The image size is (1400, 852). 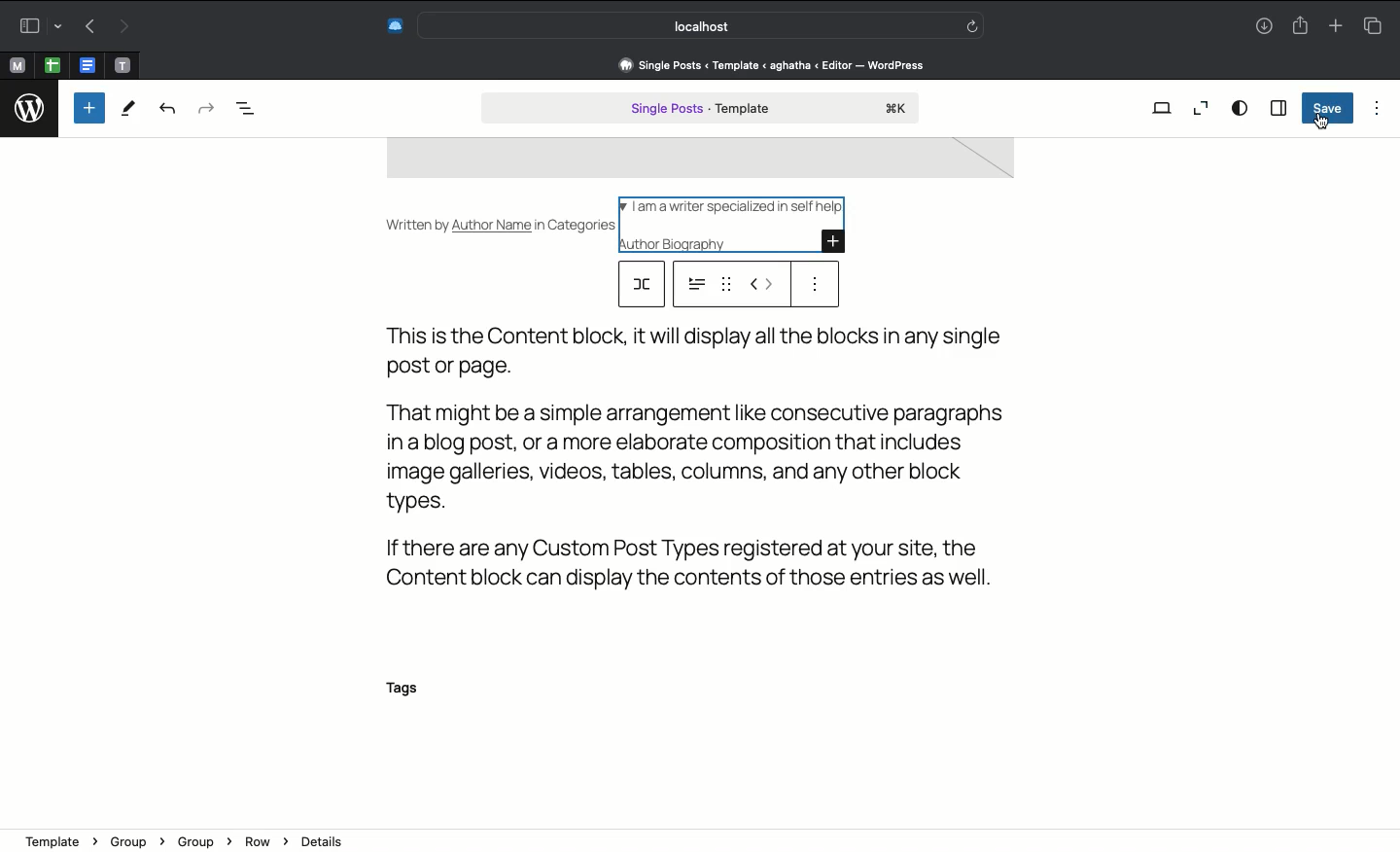 What do you see at coordinates (1372, 25) in the screenshot?
I see `Tabs` at bounding box center [1372, 25].